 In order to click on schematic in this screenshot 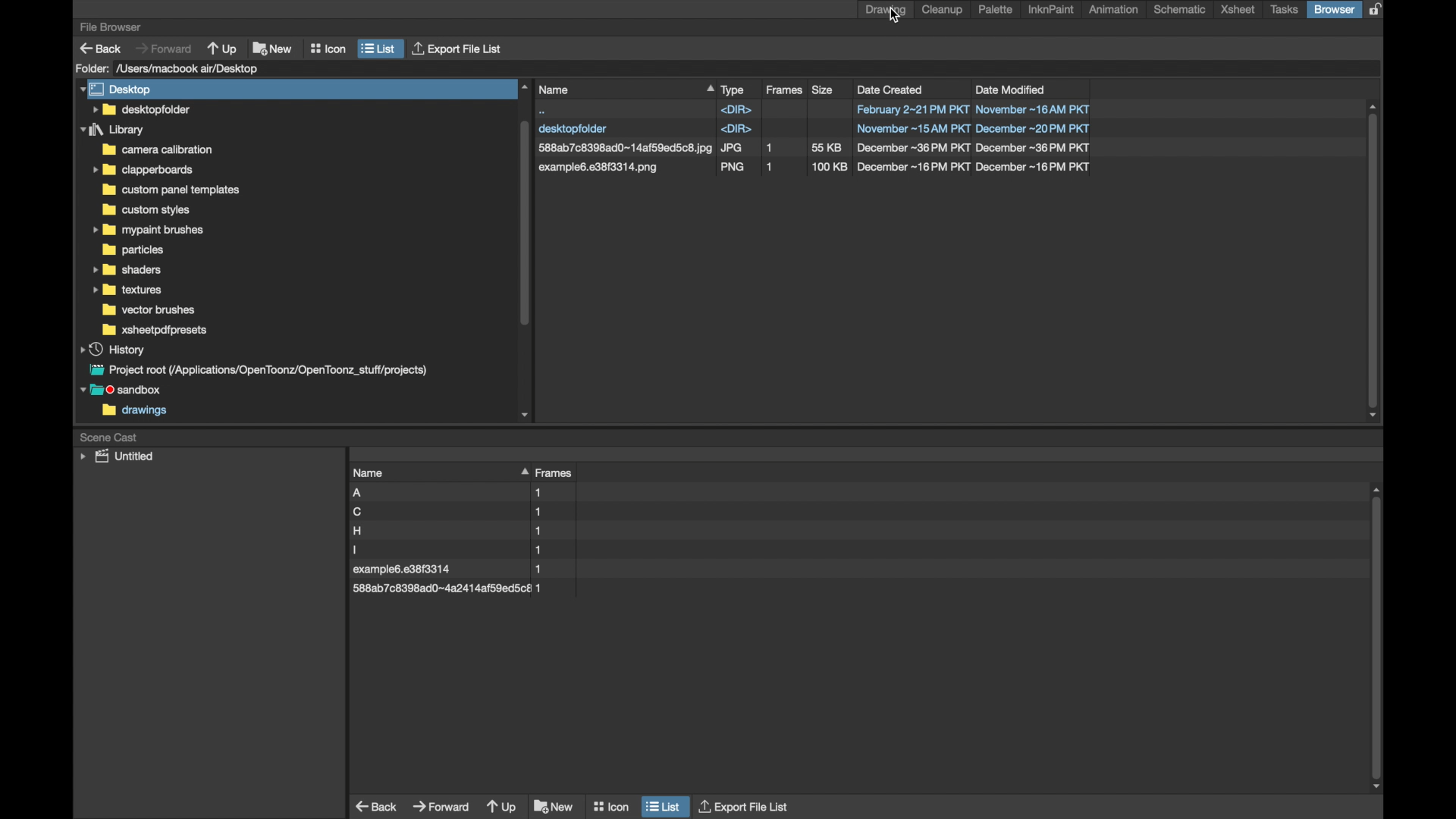, I will do `click(1179, 9)`.